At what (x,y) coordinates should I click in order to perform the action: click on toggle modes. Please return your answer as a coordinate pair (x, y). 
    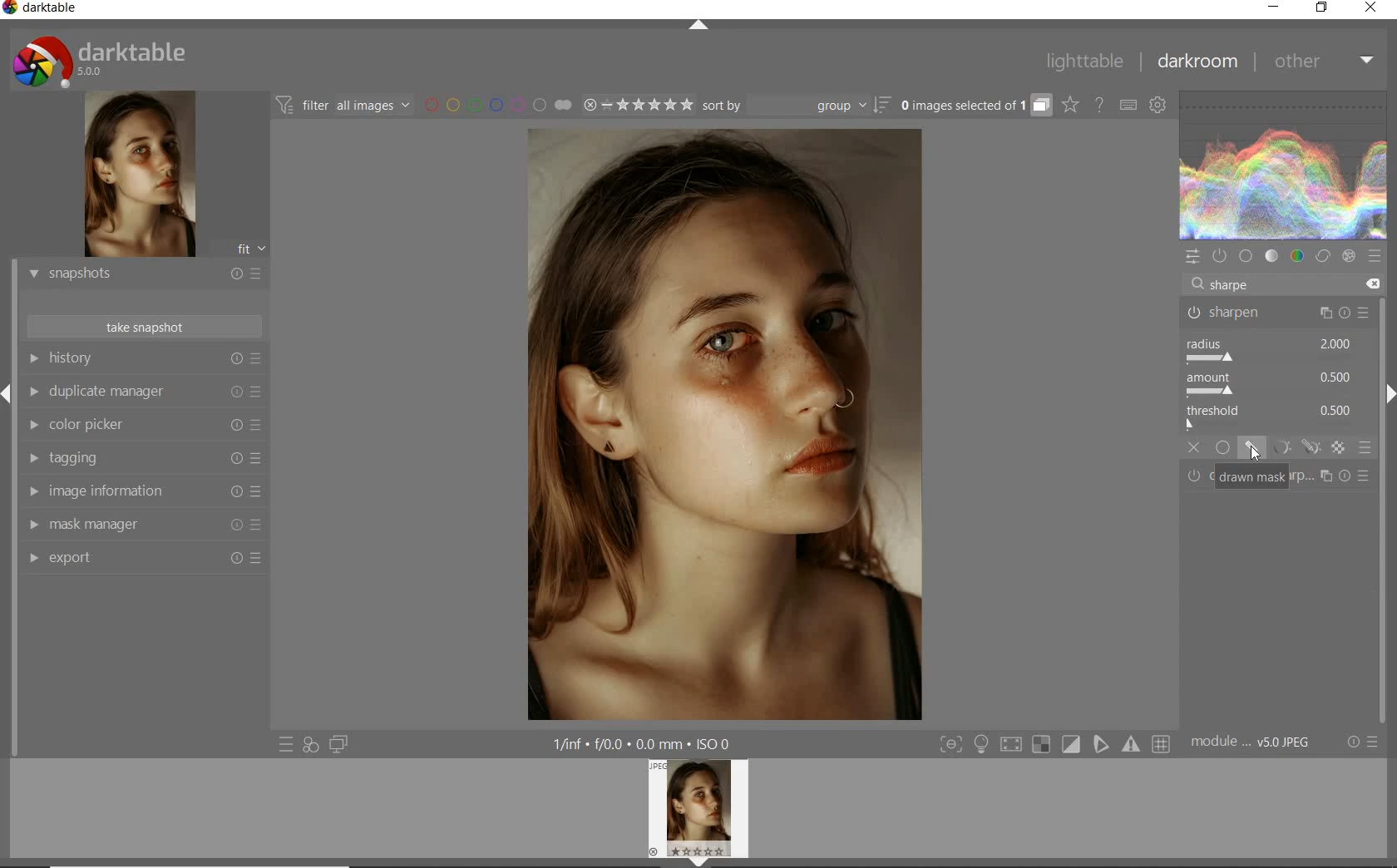
    Looking at the image, I should click on (1055, 744).